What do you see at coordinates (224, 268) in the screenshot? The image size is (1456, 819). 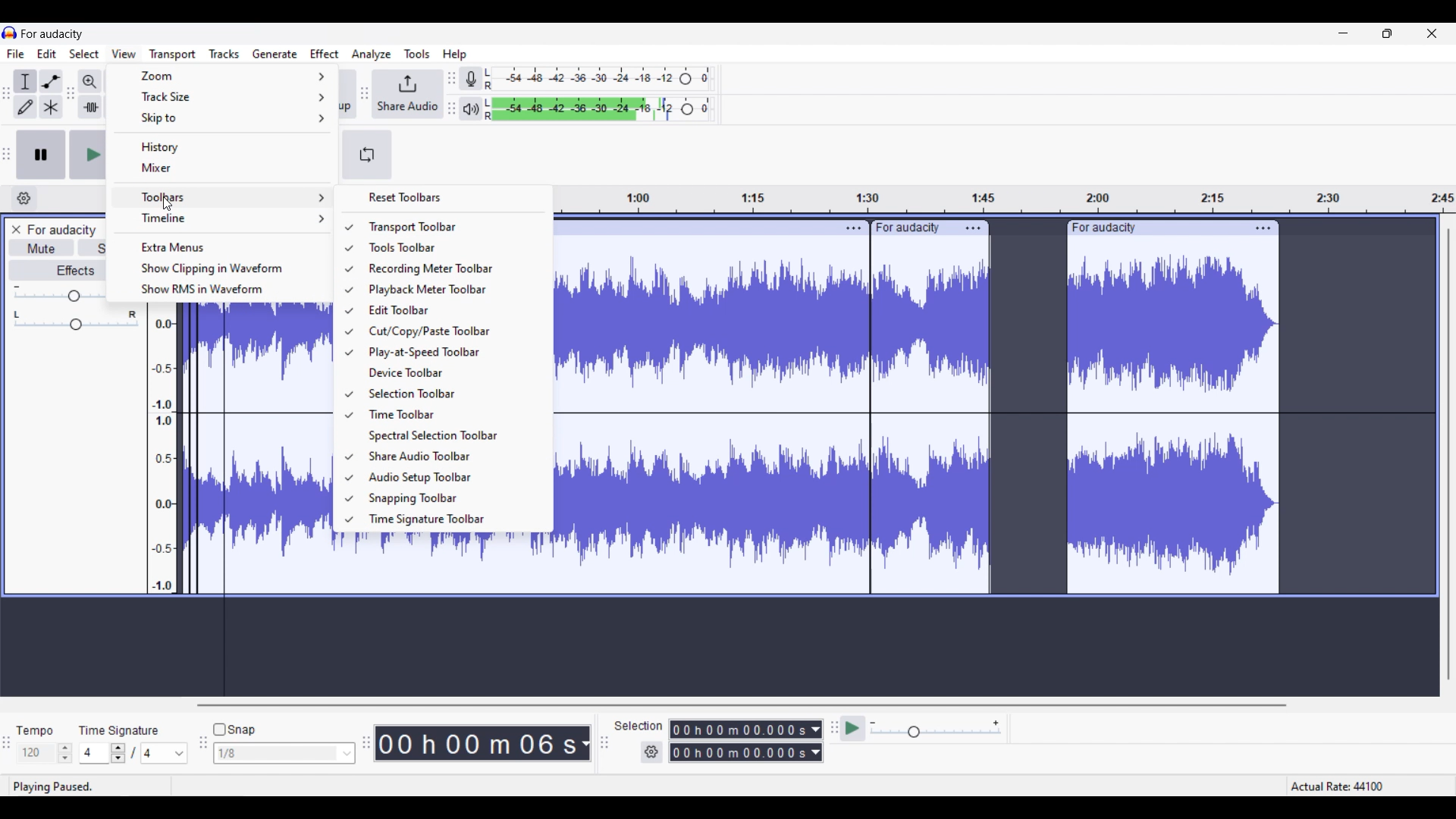 I see `Show clipping in waveform ` at bounding box center [224, 268].